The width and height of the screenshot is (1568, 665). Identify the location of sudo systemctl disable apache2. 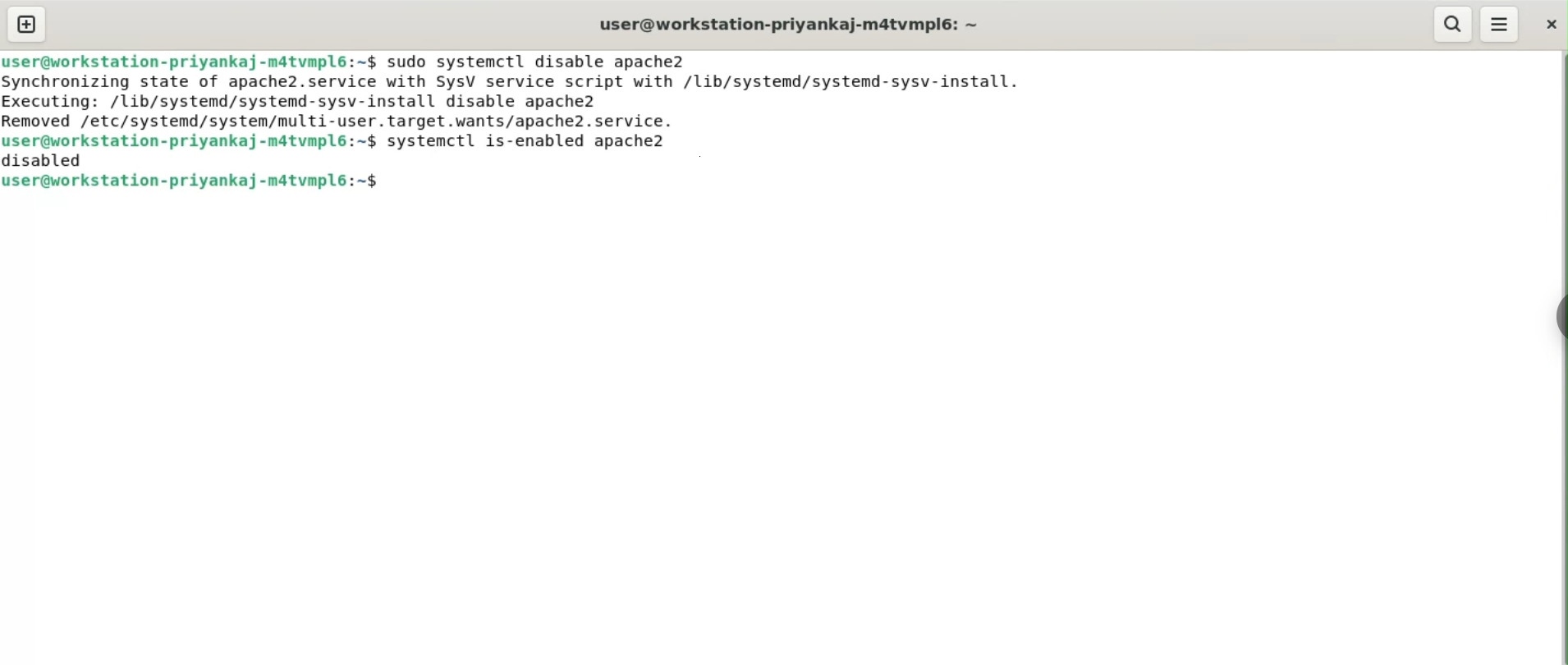
(549, 61).